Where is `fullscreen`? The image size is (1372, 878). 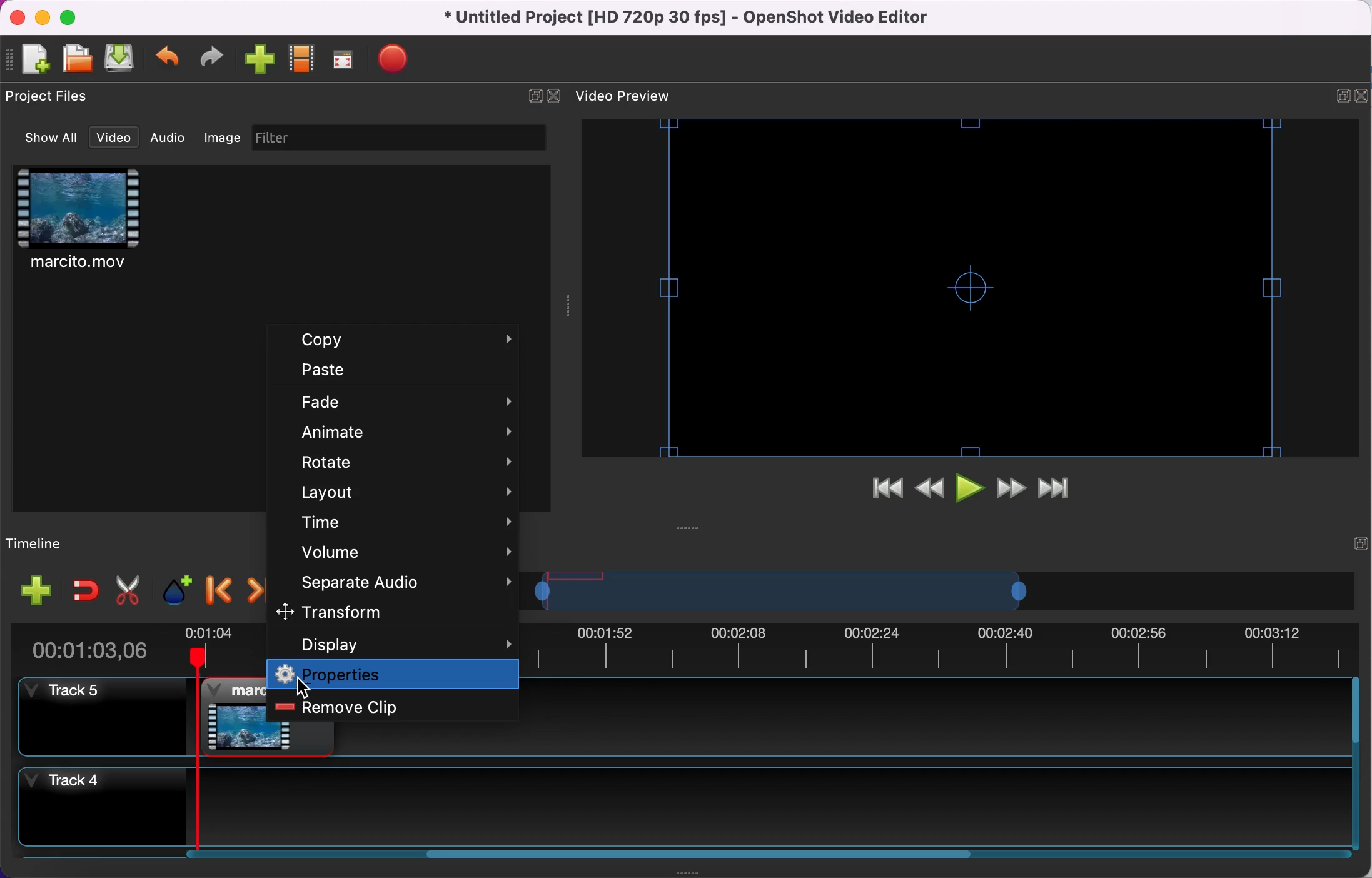 fullscreen is located at coordinates (344, 60).